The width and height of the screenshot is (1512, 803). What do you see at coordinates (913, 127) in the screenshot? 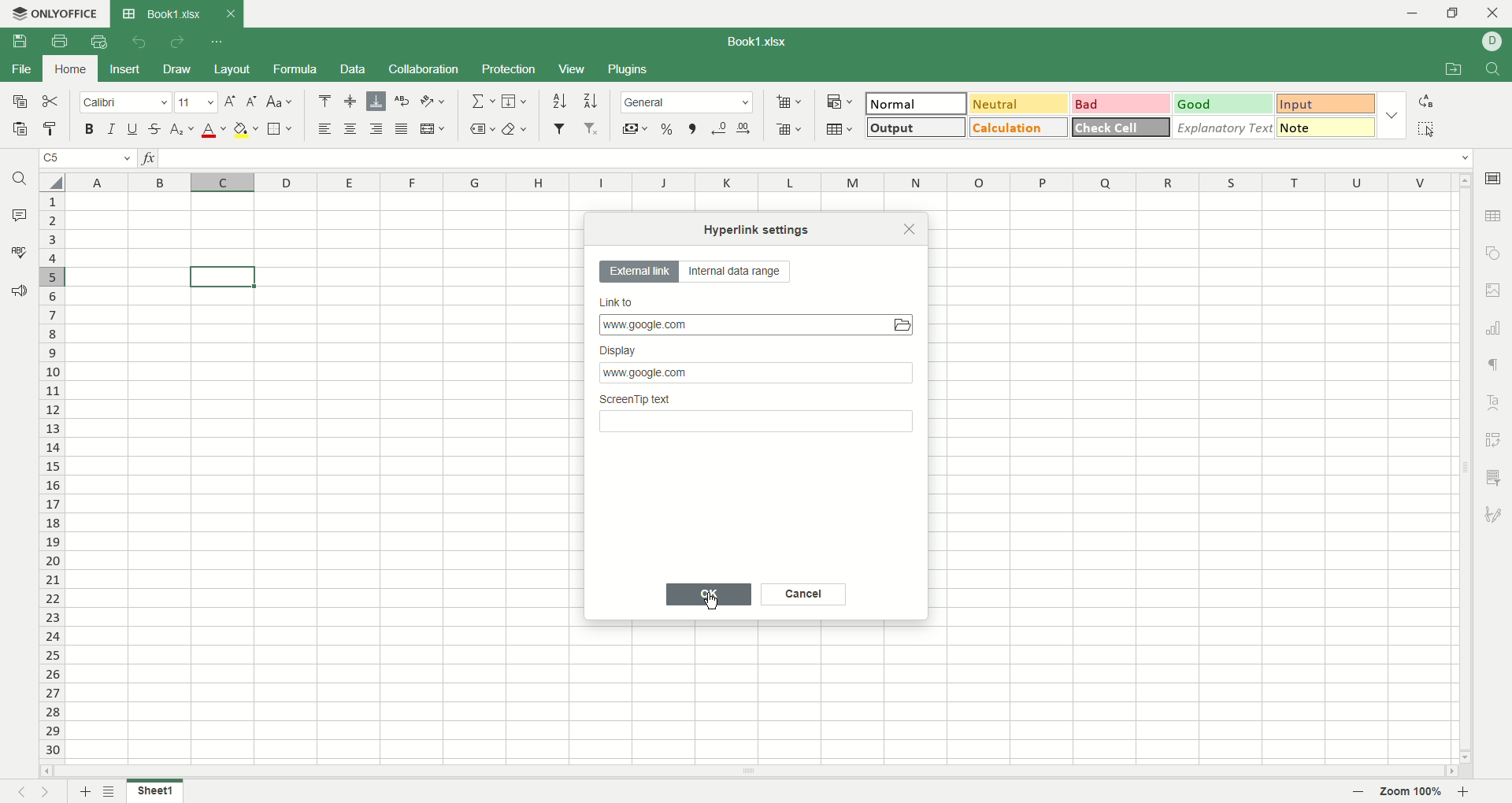
I see `output` at bounding box center [913, 127].